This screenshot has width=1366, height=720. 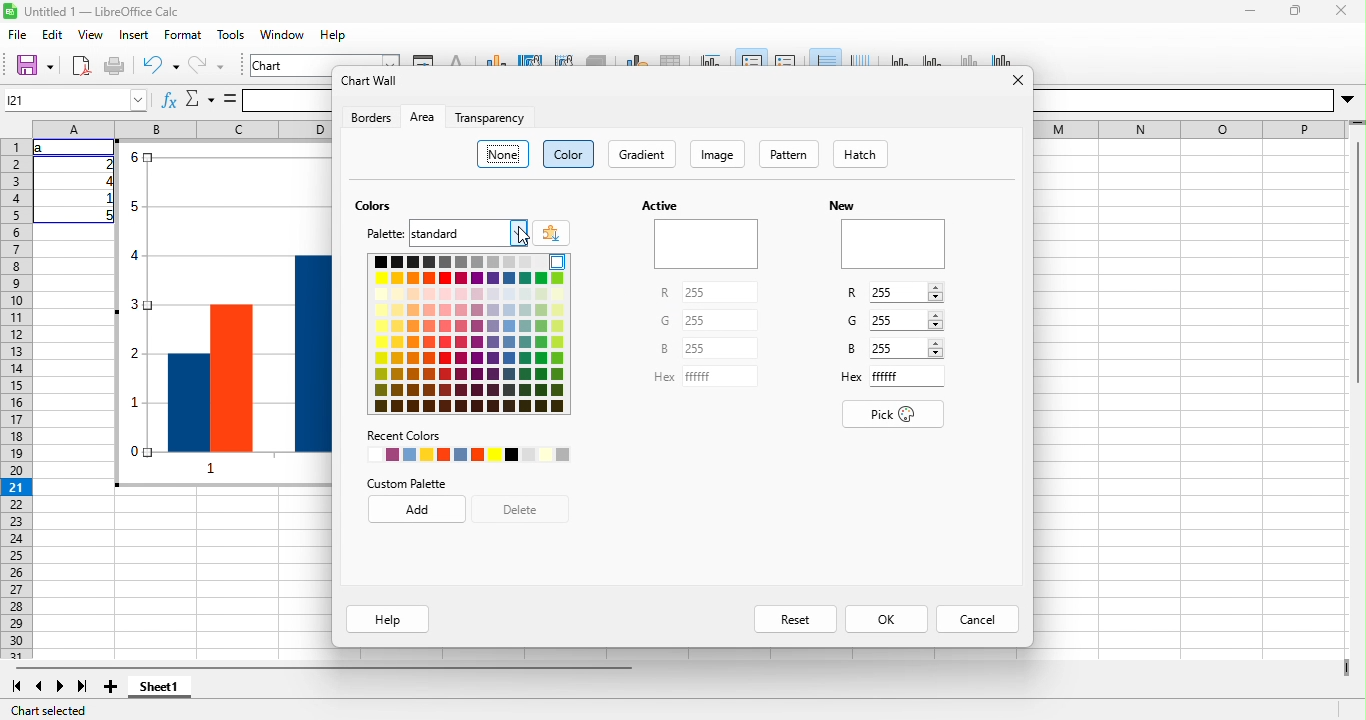 I want to click on colors, so click(x=373, y=205).